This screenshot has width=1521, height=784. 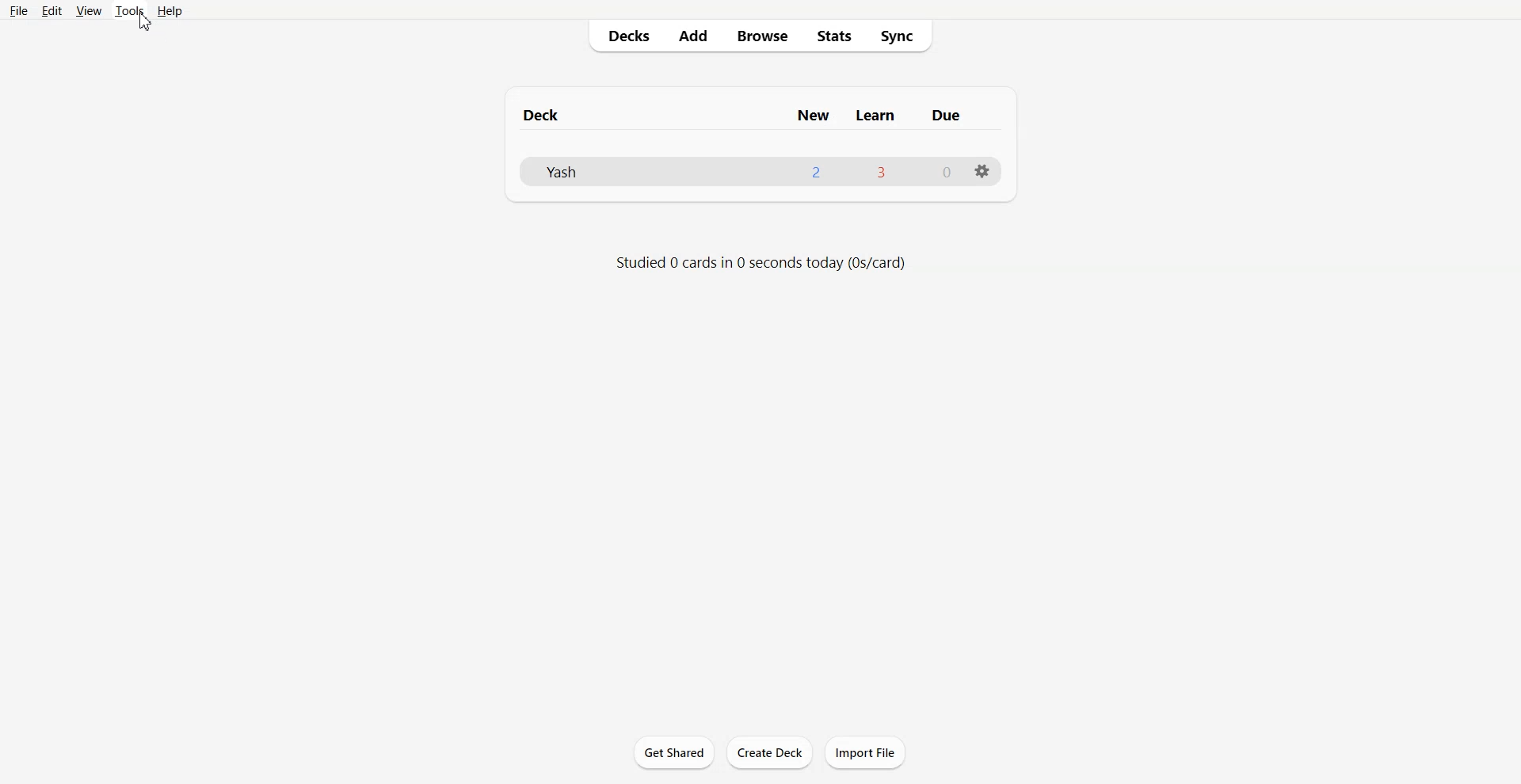 What do you see at coordinates (814, 116) in the screenshot?
I see `New` at bounding box center [814, 116].